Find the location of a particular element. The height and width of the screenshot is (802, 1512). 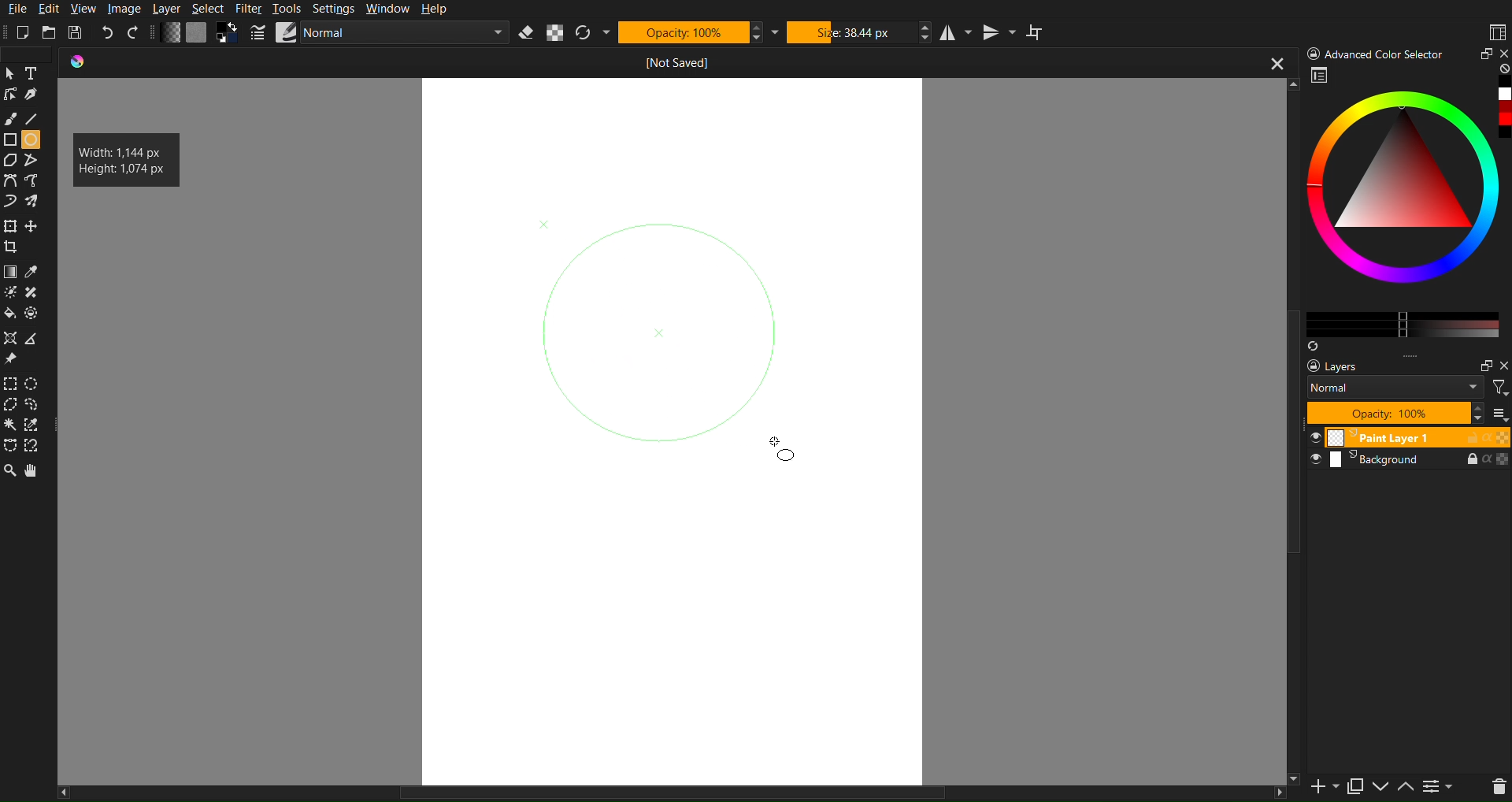

Wind is located at coordinates (10, 425).